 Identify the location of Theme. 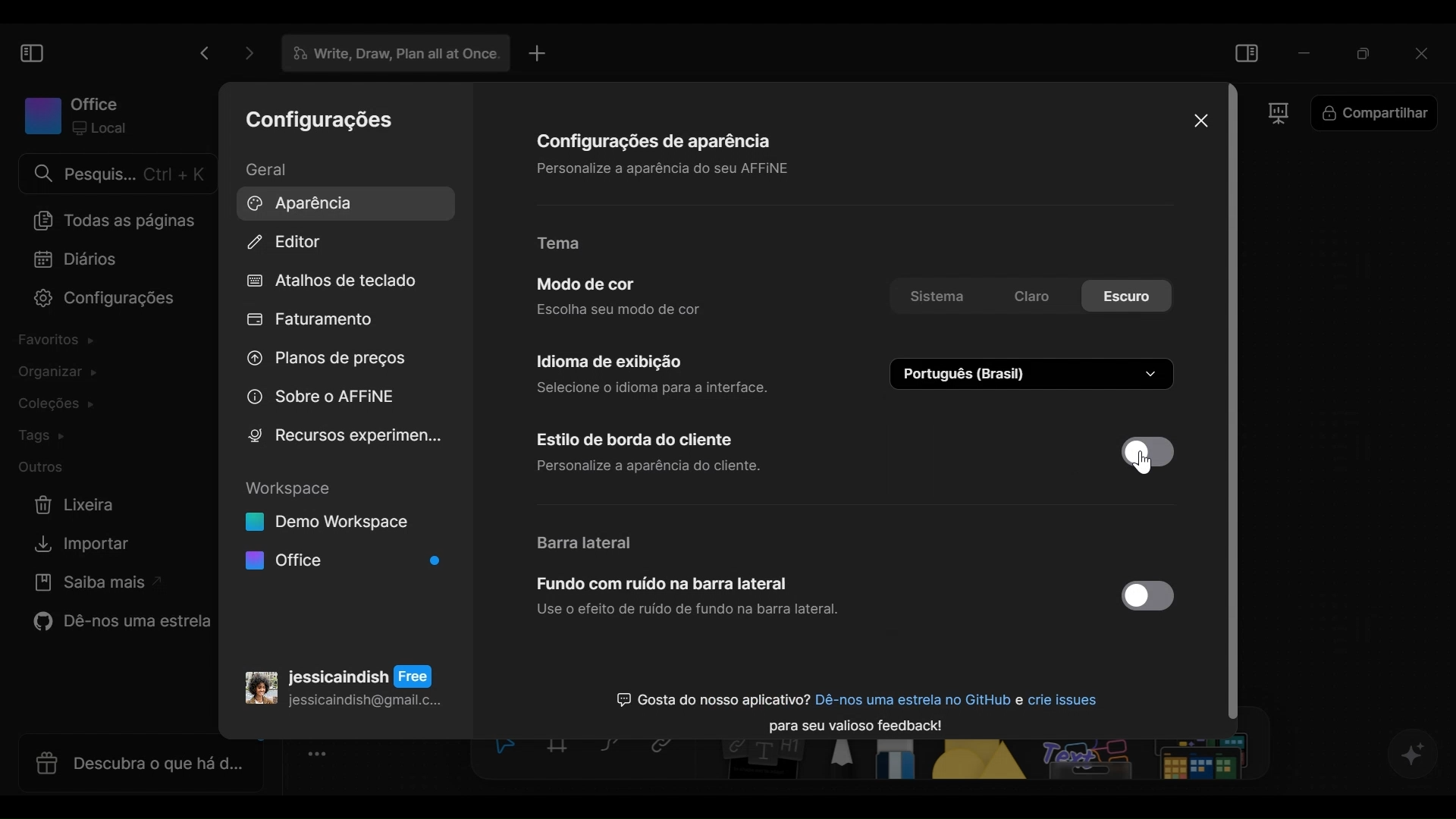
(570, 244).